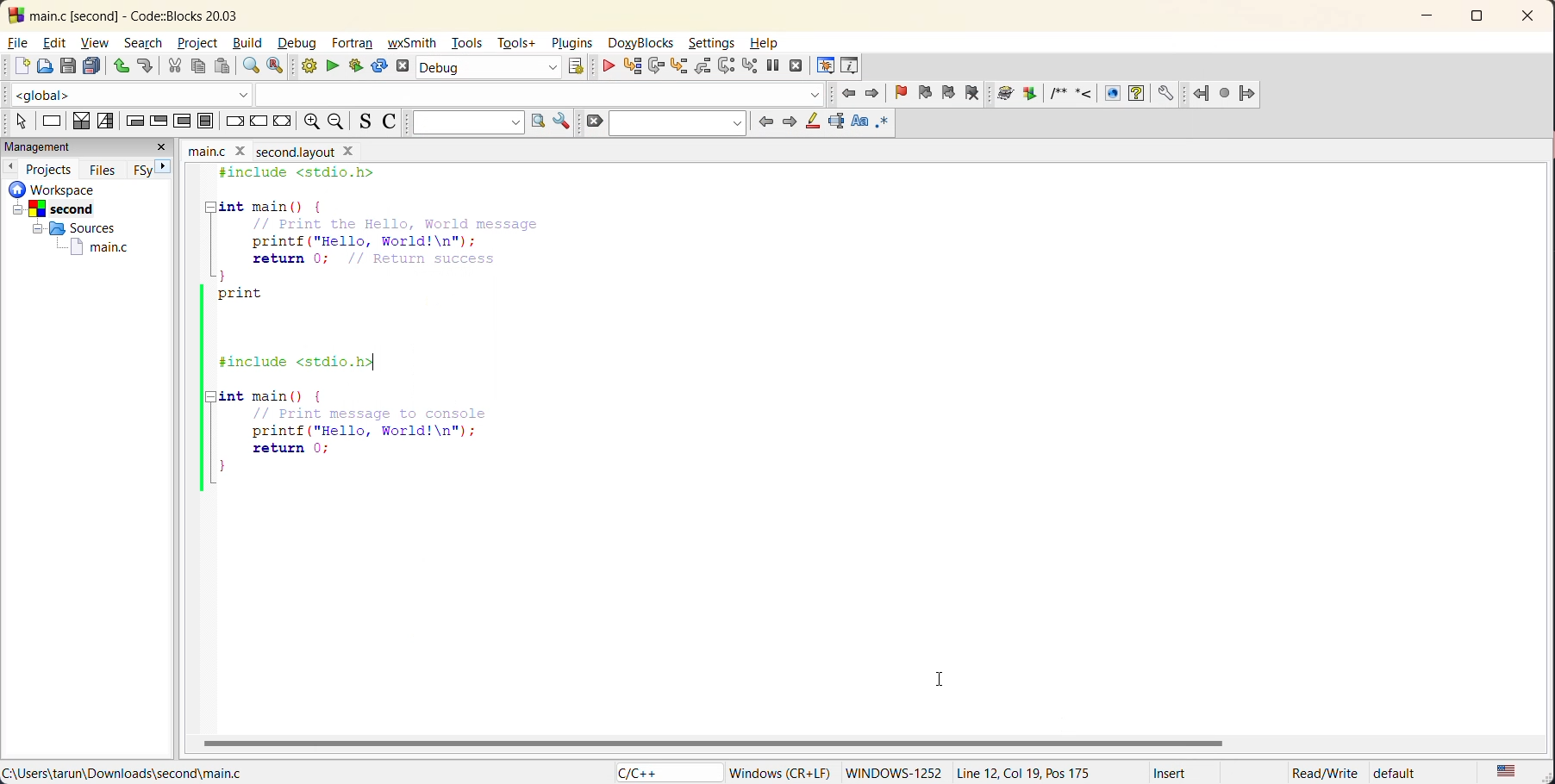  What do you see at coordinates (655, 68) in the screenshot?
I see `next line` at bounding box center [655, 68].